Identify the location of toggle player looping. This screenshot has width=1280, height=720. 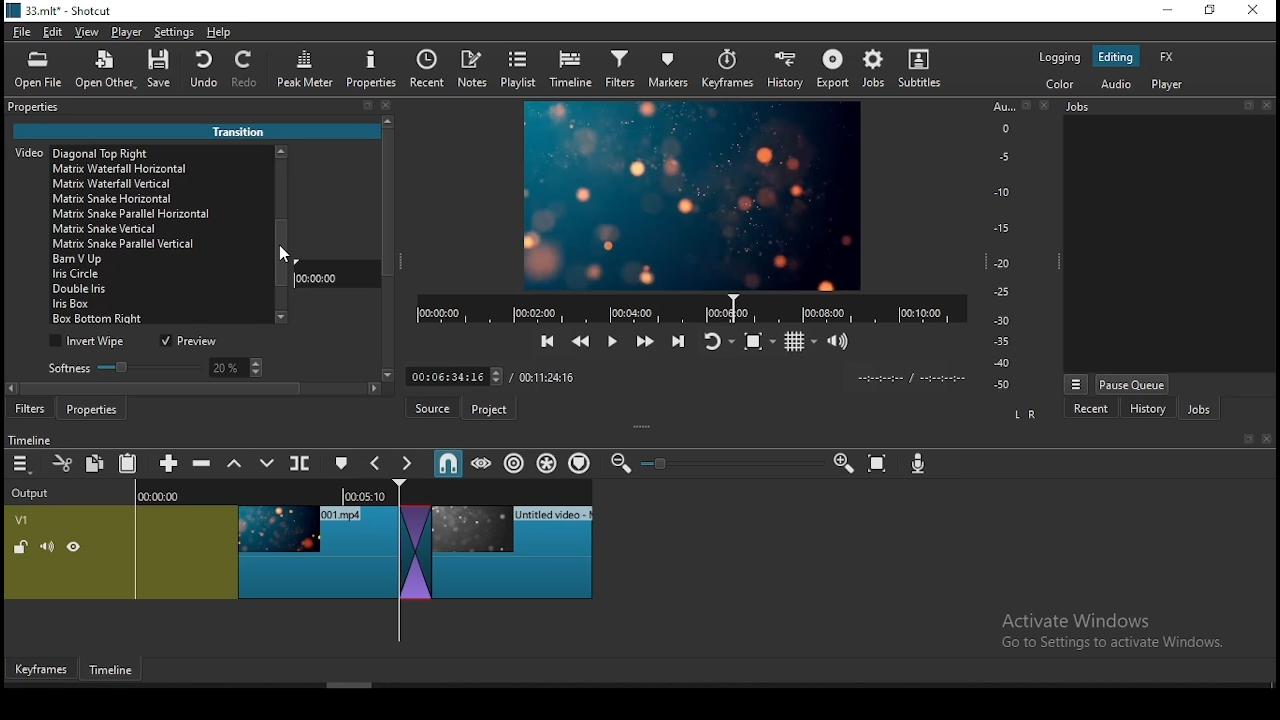
(716, 343).